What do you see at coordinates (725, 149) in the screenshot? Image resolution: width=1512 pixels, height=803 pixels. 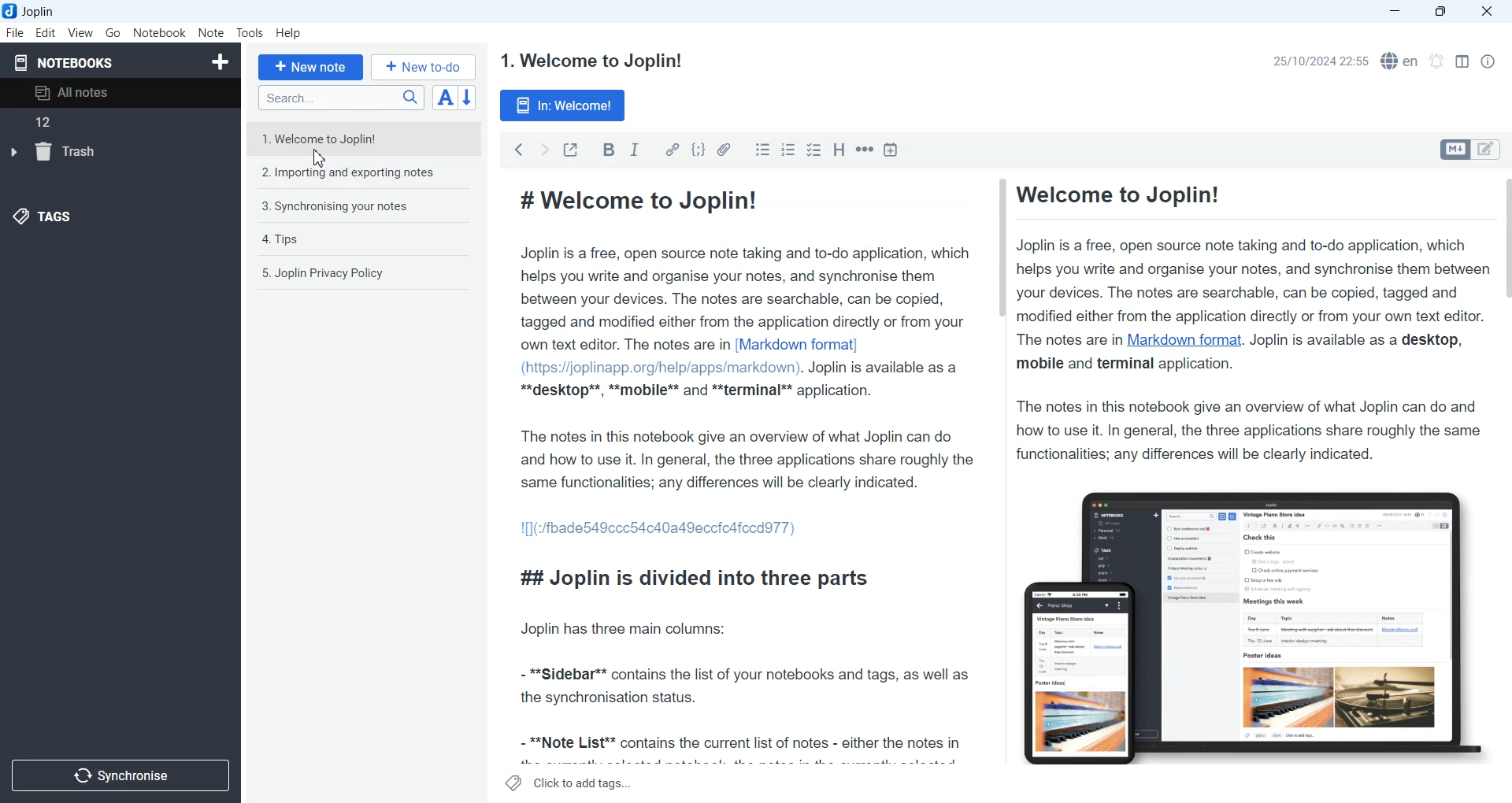 I see `Attach file` at bounding box center [725, 149].